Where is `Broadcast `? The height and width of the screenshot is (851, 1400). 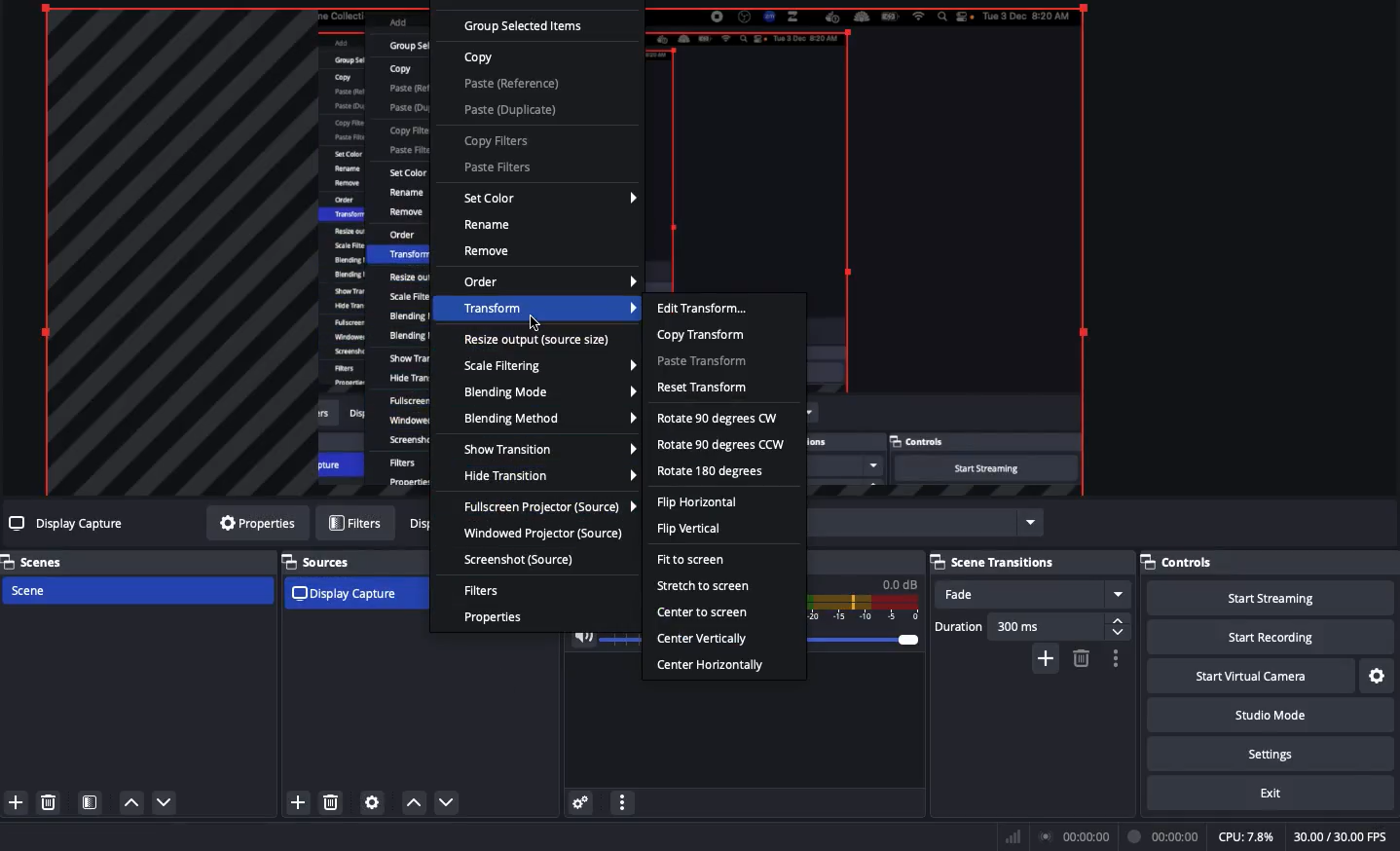
Broadcast  is located at coordinates (1075, 836).